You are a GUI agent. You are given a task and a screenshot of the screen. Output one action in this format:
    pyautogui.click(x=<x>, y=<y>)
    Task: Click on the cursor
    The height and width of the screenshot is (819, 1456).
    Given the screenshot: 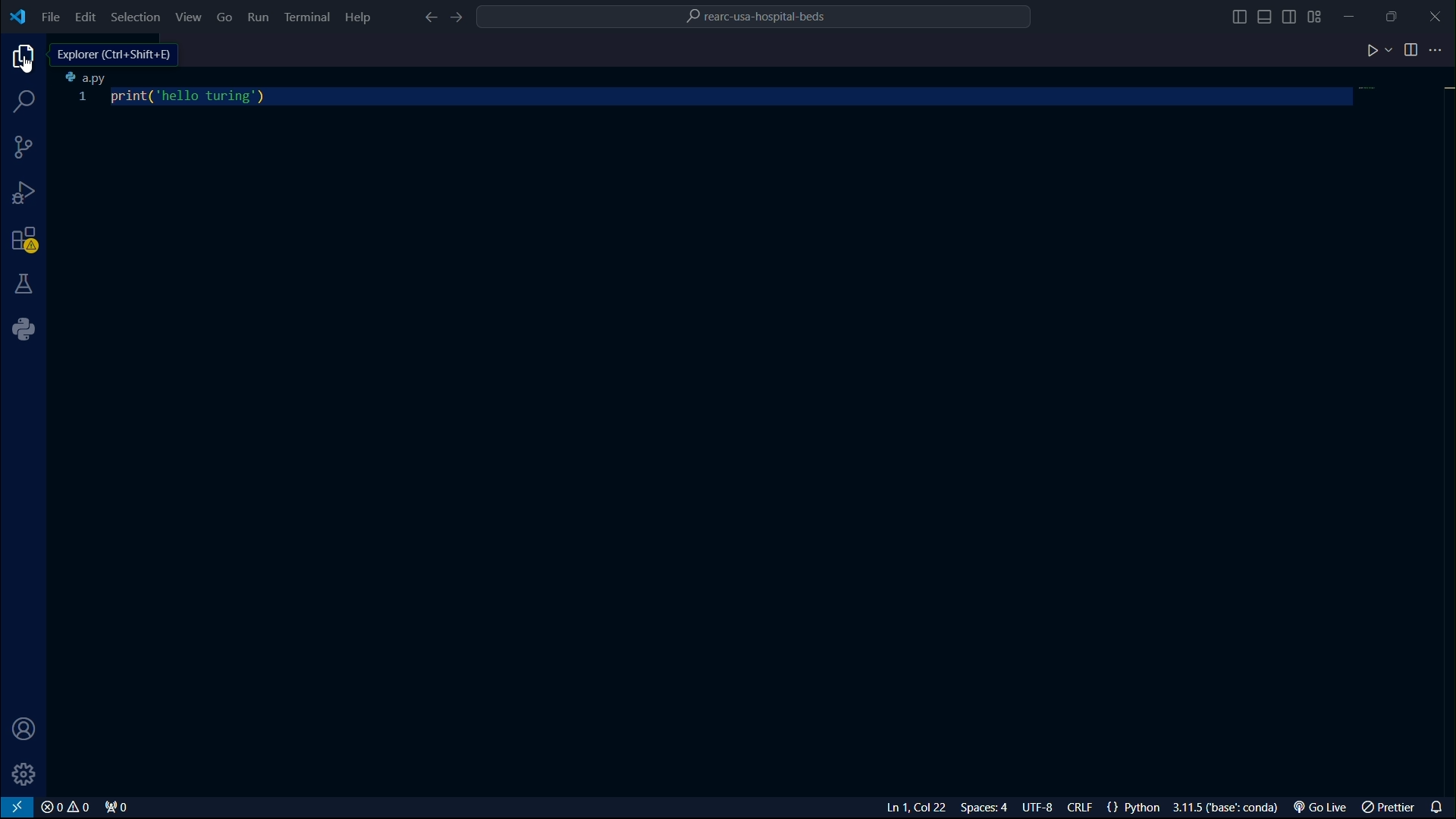 What is the action you would take?
    pyautogui.click(x=27, y=64)
    